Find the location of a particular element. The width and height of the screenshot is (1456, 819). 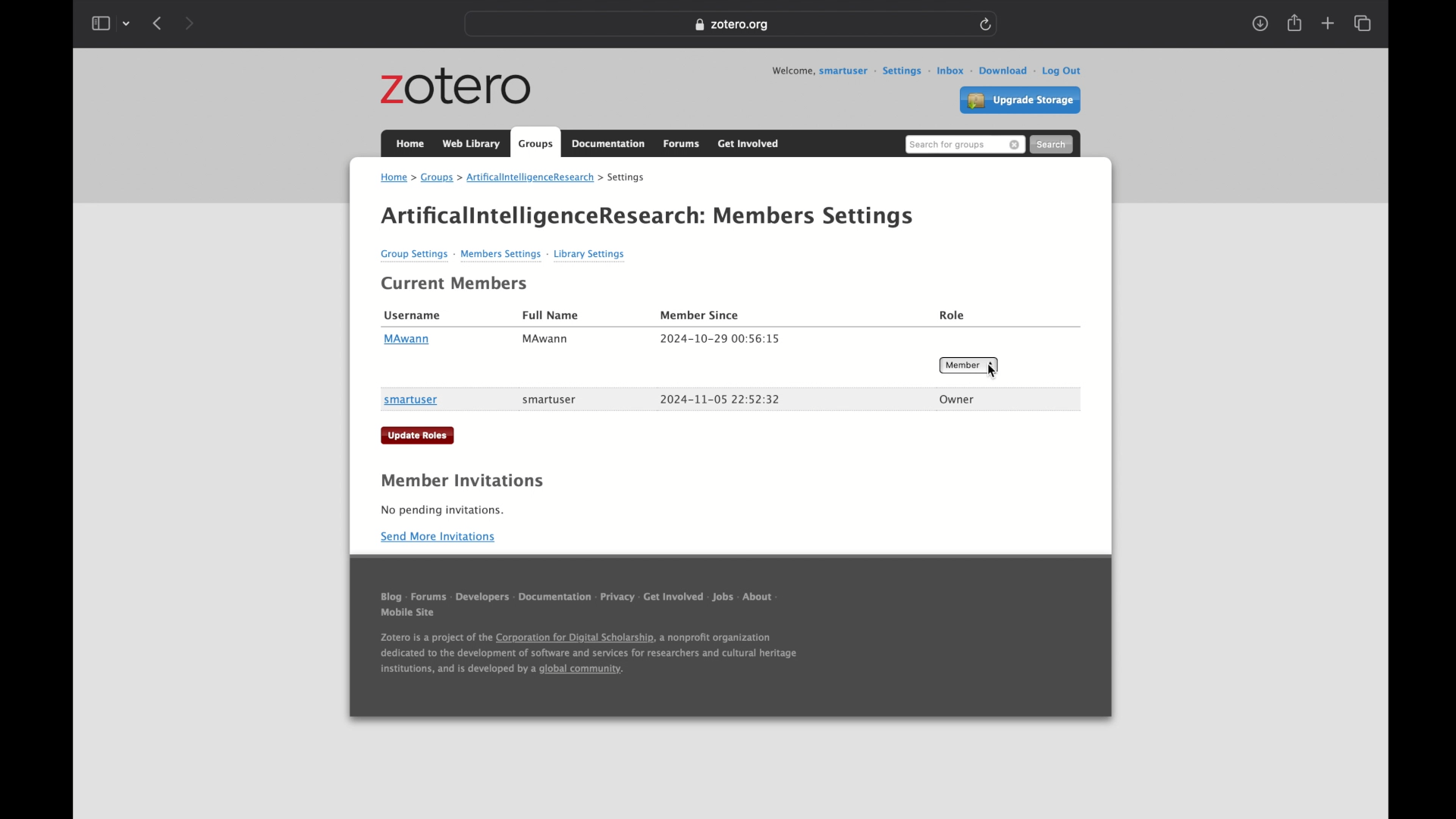

forums is located at coordinates (428, 600).